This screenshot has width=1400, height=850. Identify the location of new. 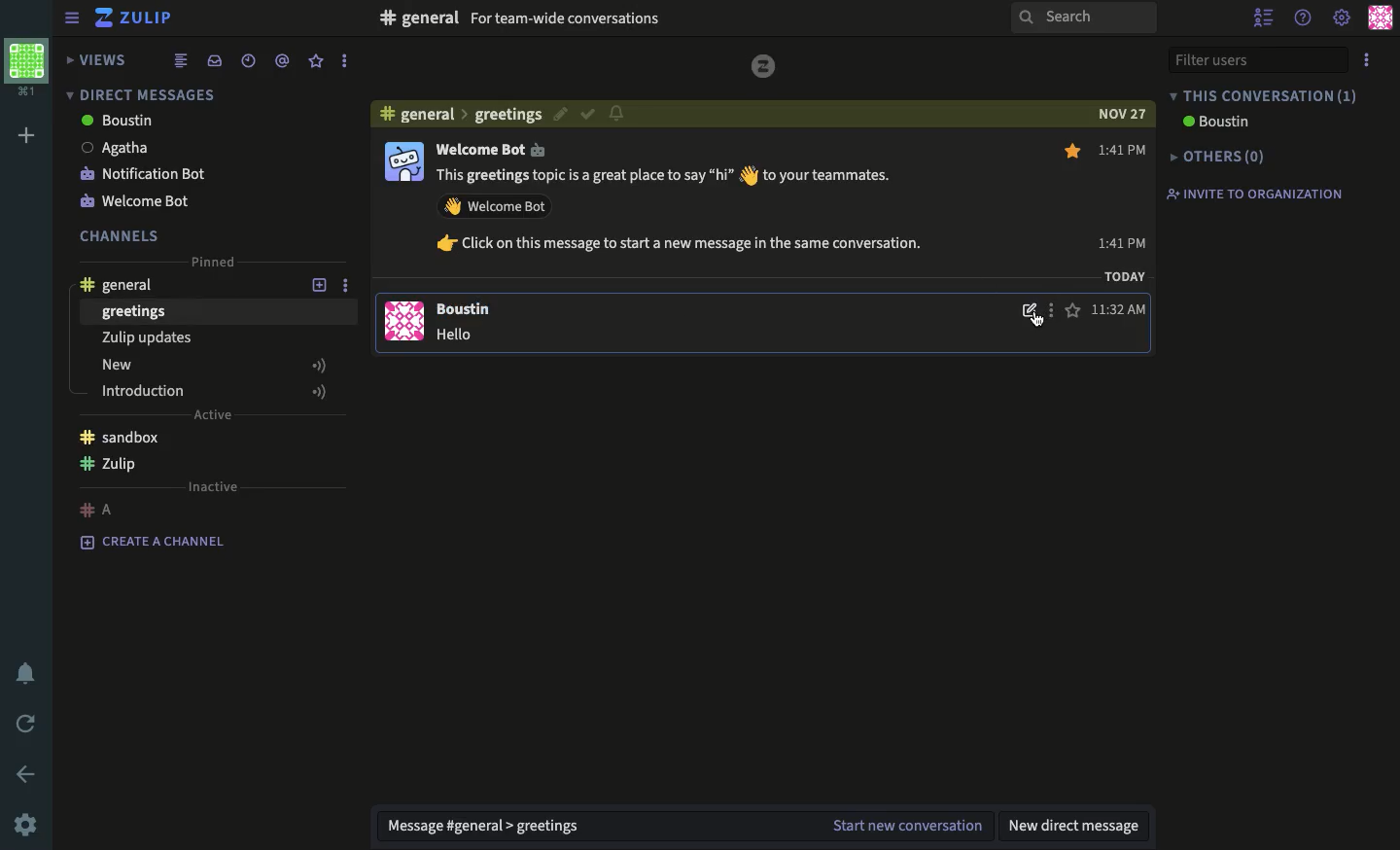
(215, 368).